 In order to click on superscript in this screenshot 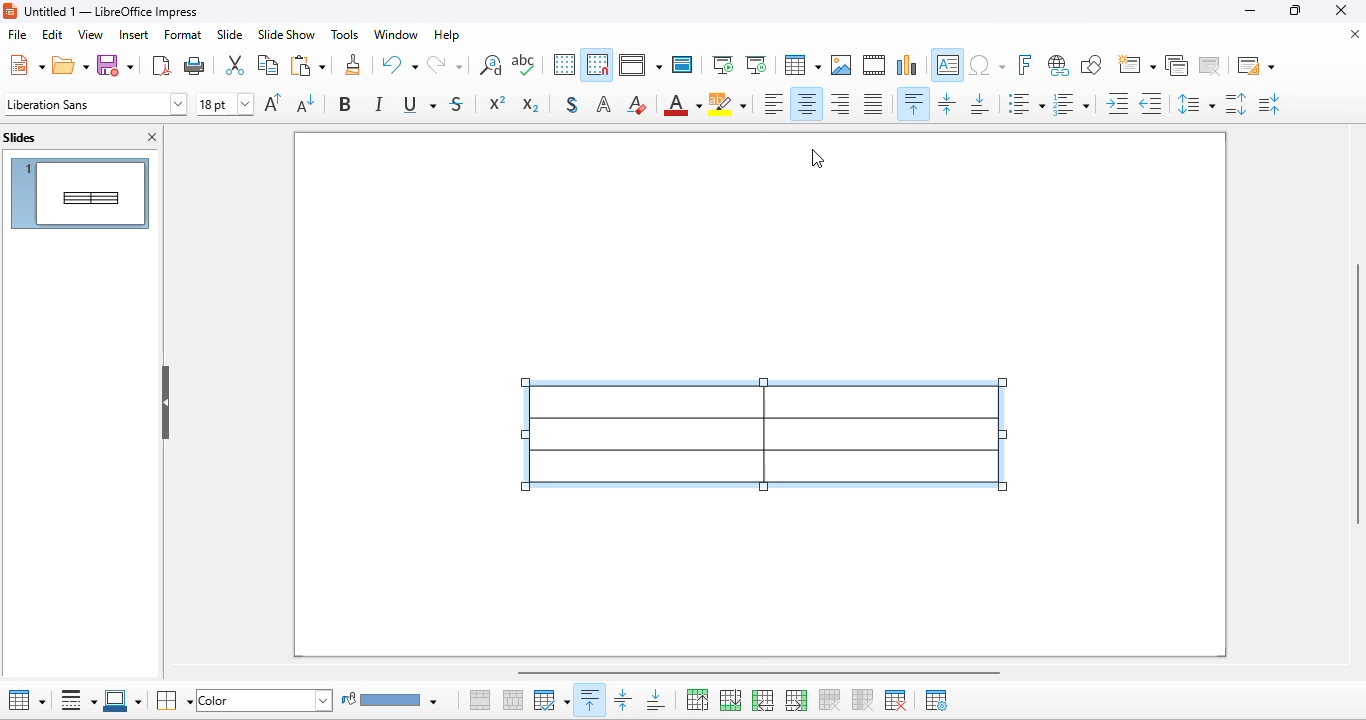, I will do `click(498, 102)`.